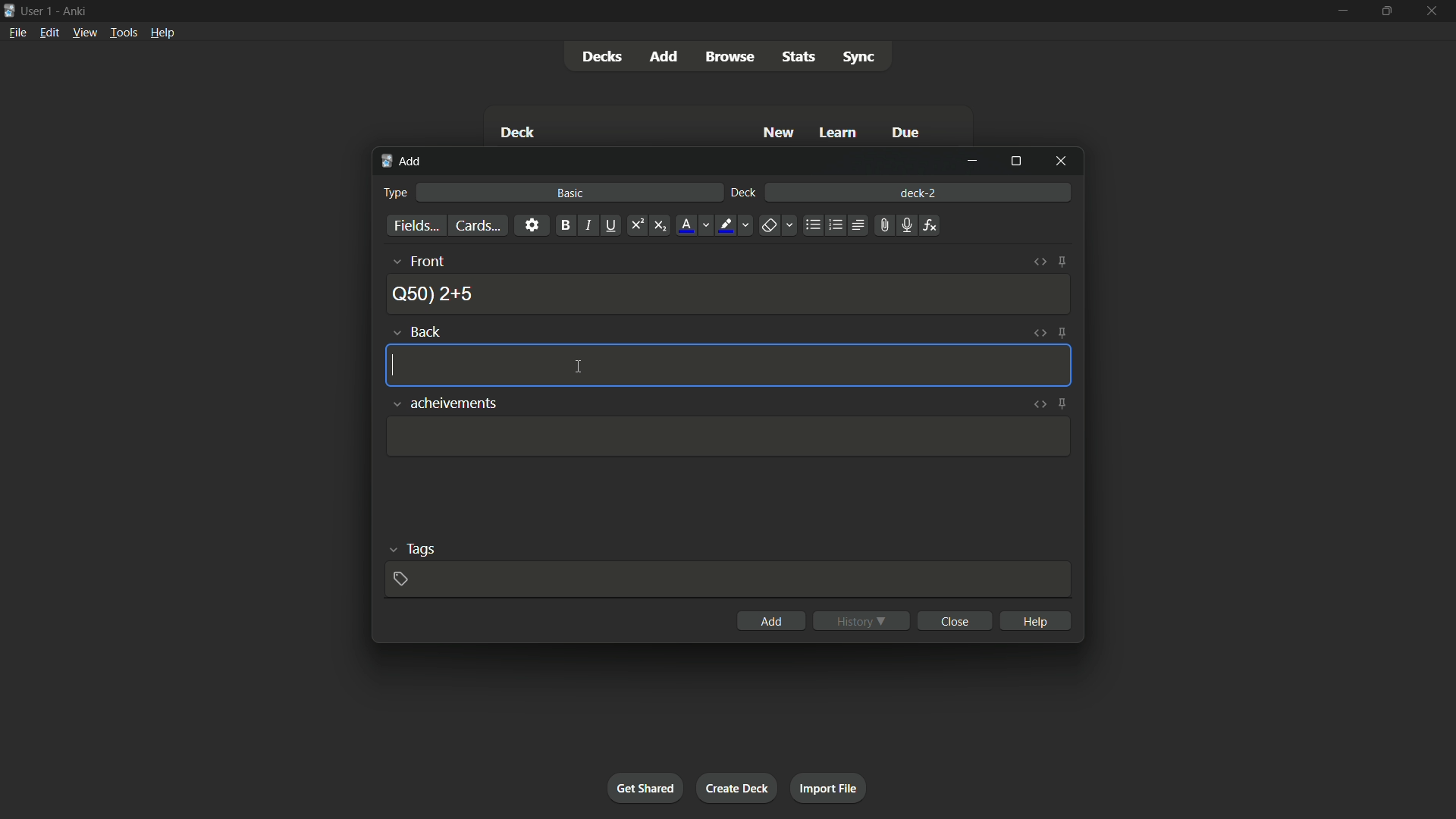  Describe the element at coordinates (85, 33) in the screenshot. I see `view menu` at that location.